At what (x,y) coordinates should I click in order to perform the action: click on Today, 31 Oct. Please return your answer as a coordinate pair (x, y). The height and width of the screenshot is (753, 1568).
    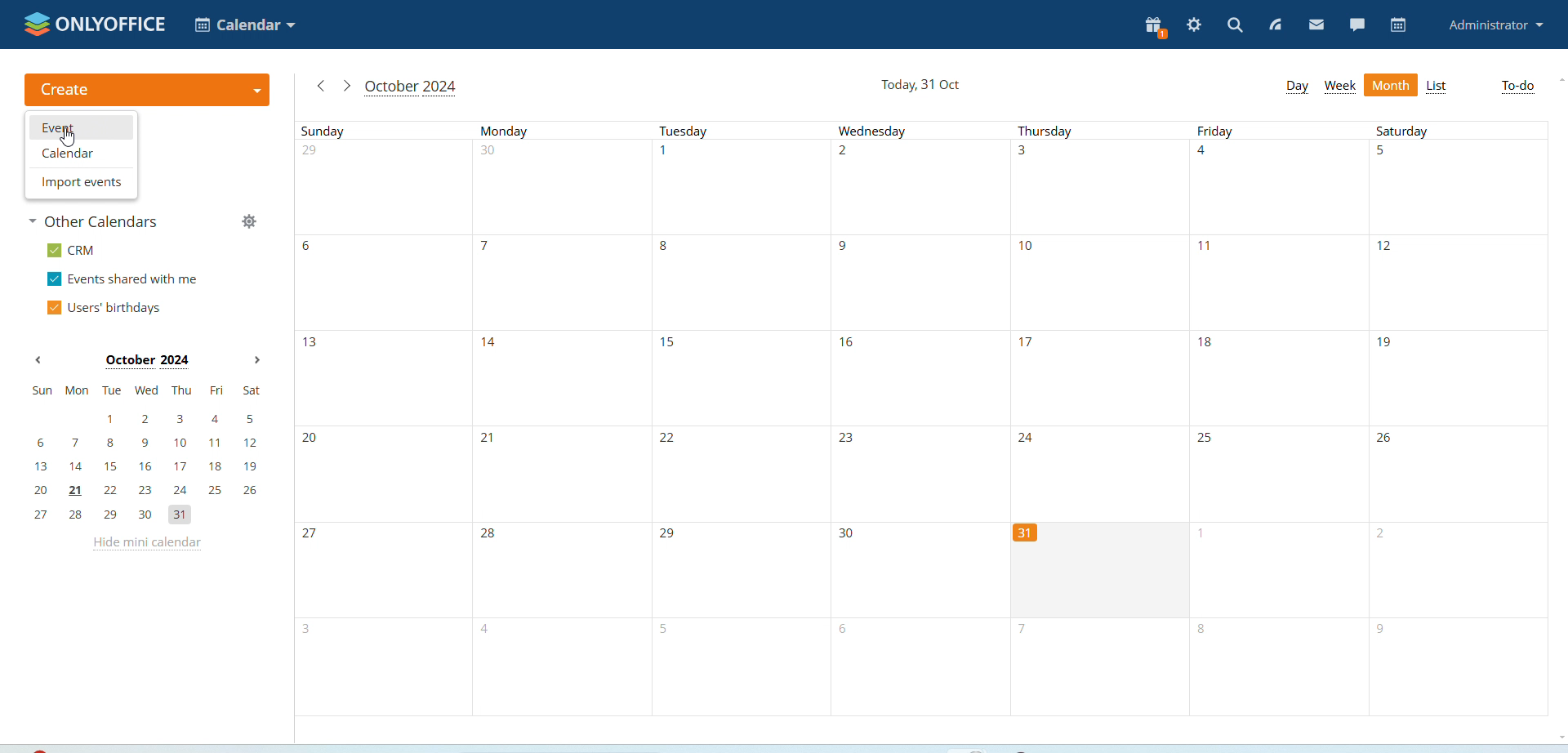
    Looking at the image, I should click on (906, 85).